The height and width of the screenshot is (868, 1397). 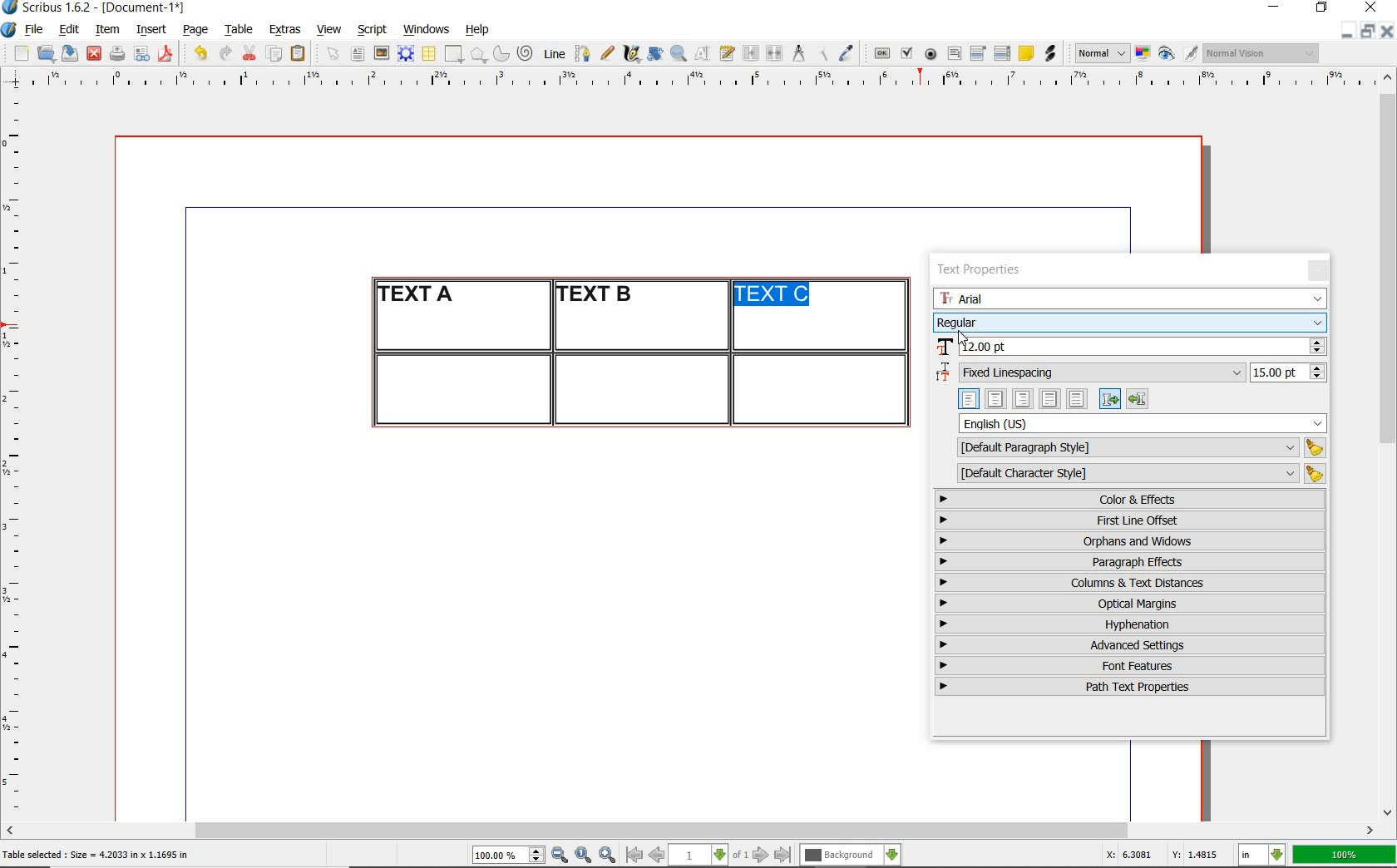 What do you see at coordinates (783, 856) in the screenshot?
I see `go to last page` at bounding box center [783, 856].